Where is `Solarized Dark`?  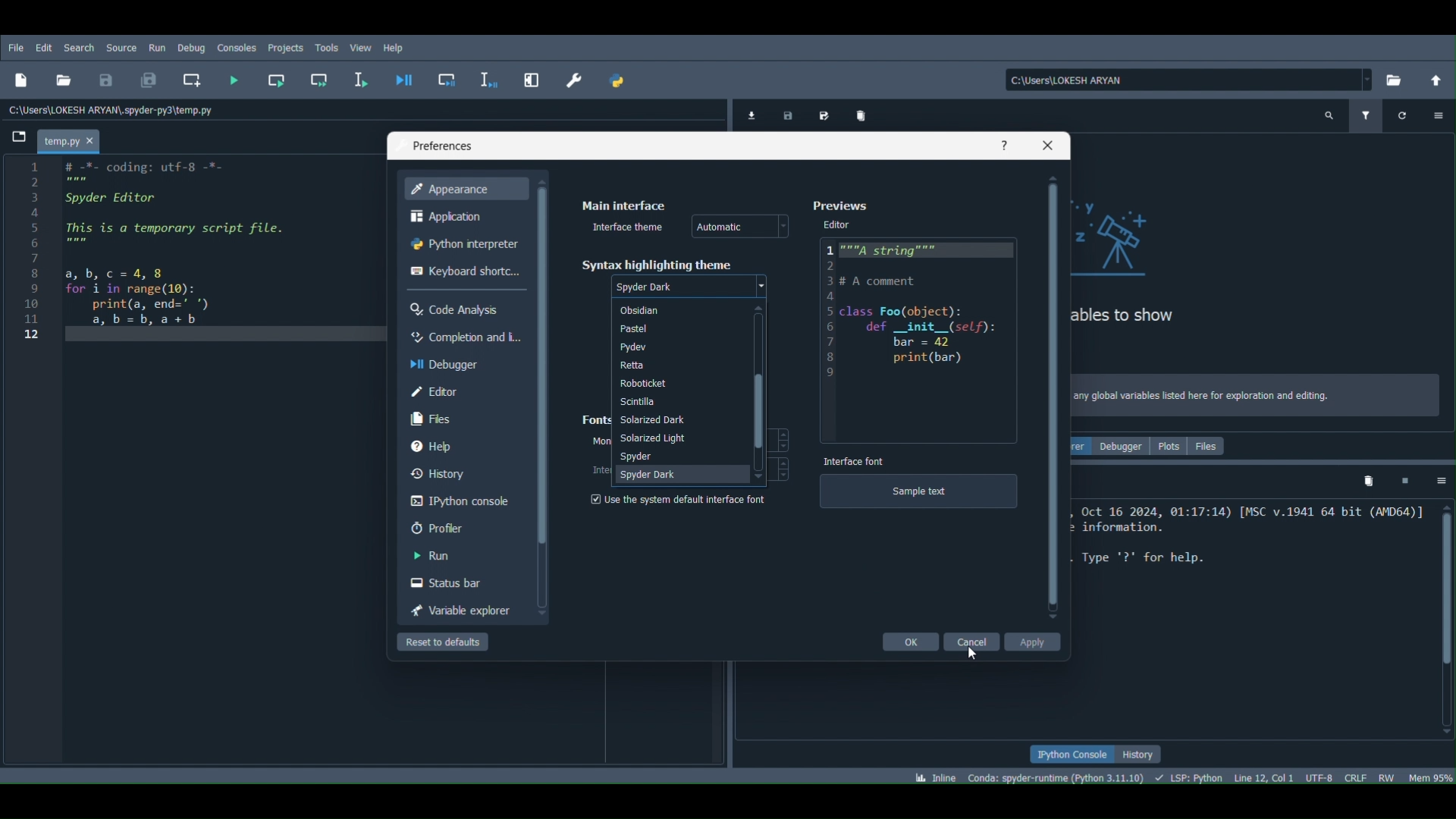
Solarized Dark is located at coordinates (677, 419).